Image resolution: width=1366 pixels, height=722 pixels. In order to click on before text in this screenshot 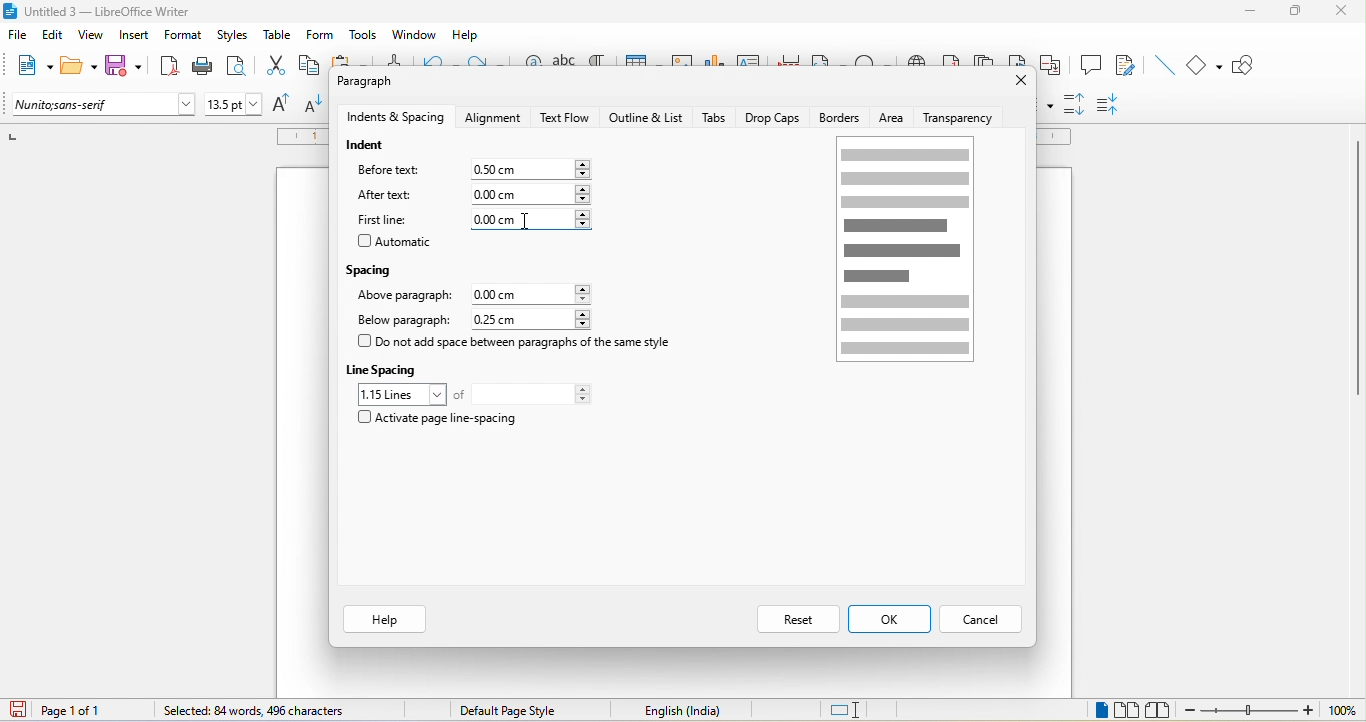, I will do `click(391, 170)`.